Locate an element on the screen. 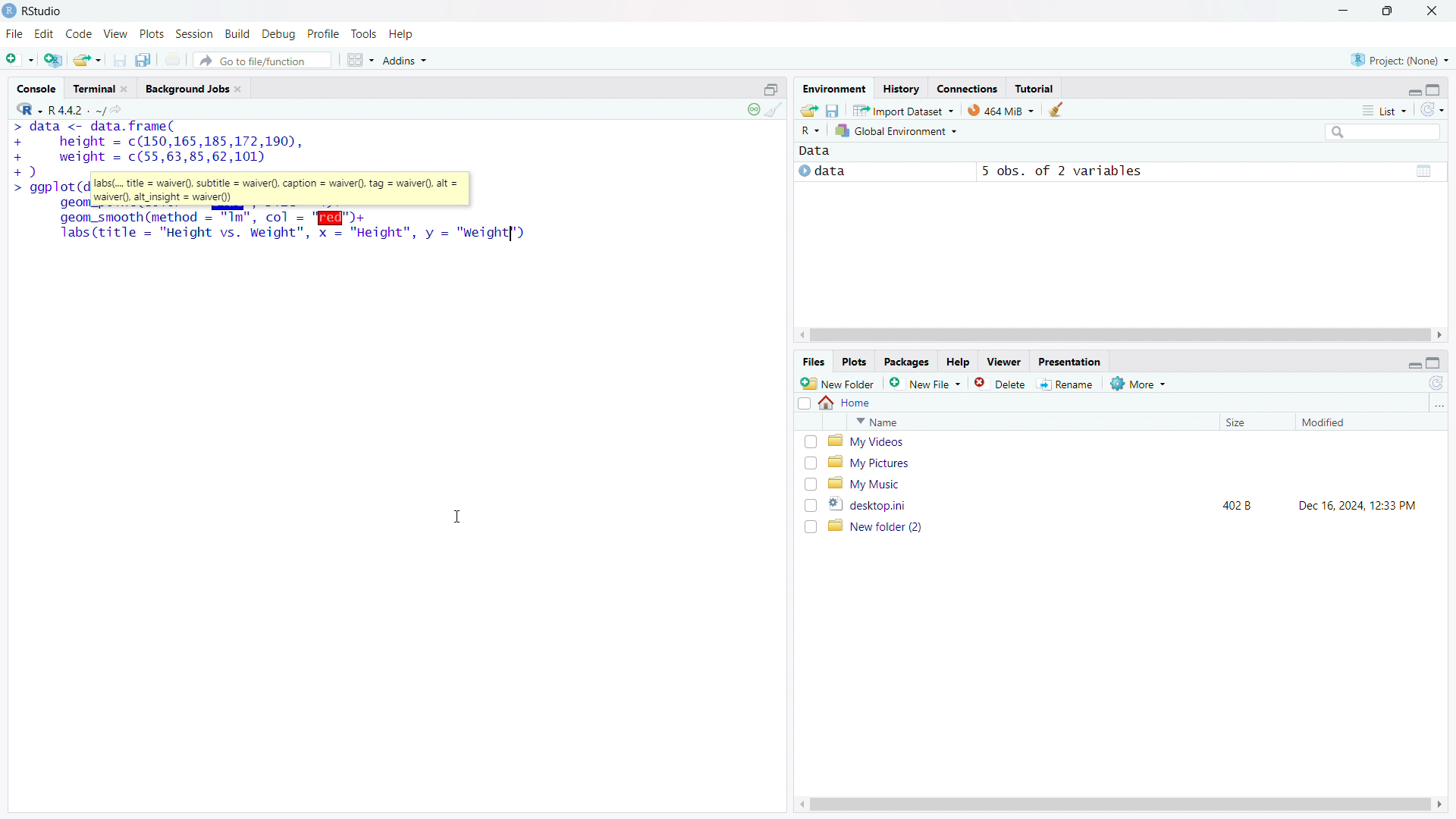 The image size is (1456, 819). scroll right is located at coordinates (1441, 335).